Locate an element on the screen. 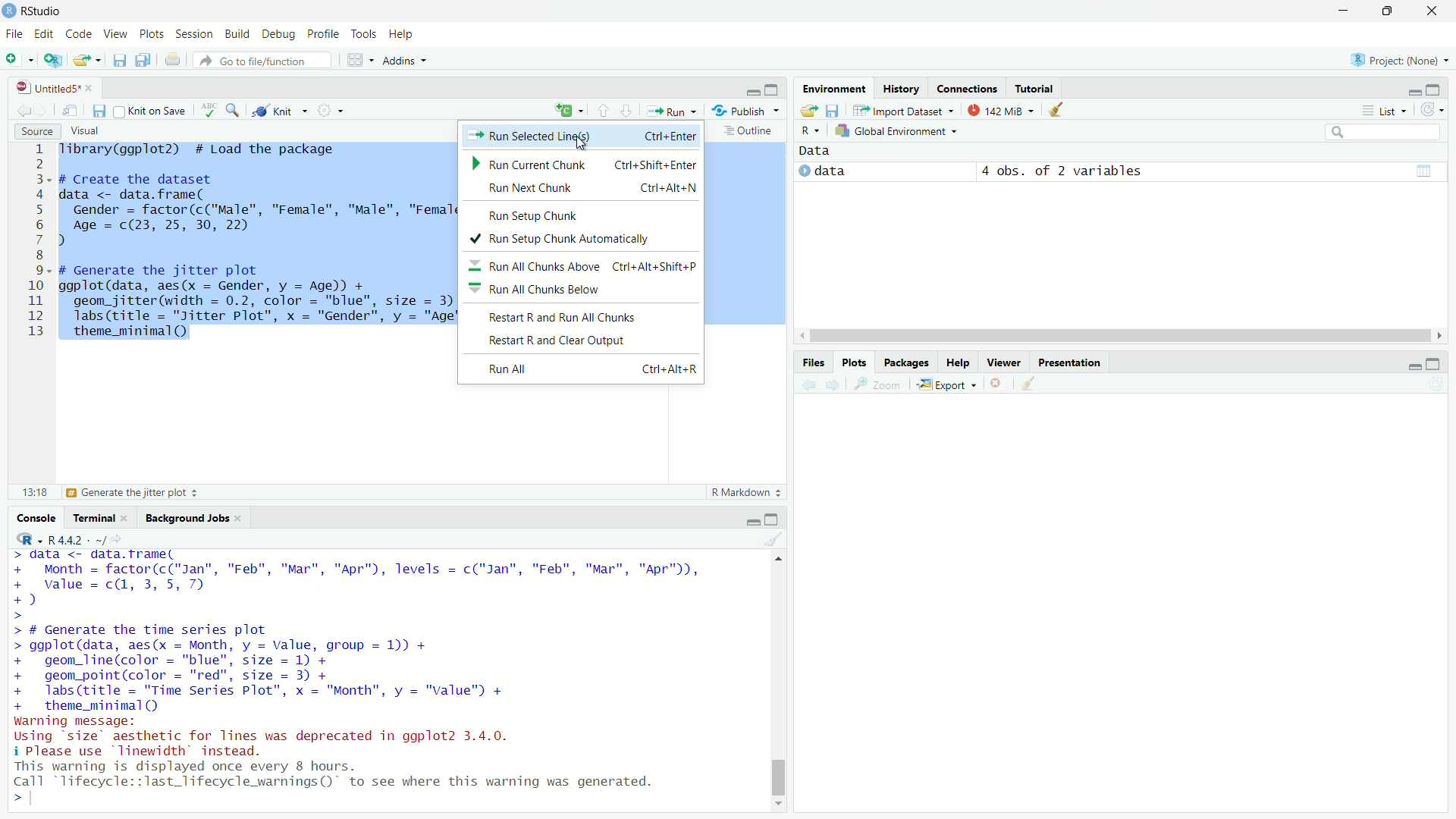 The height and width of the screenshot is (819, 1456). Run All is located at coordinates (589, 368).